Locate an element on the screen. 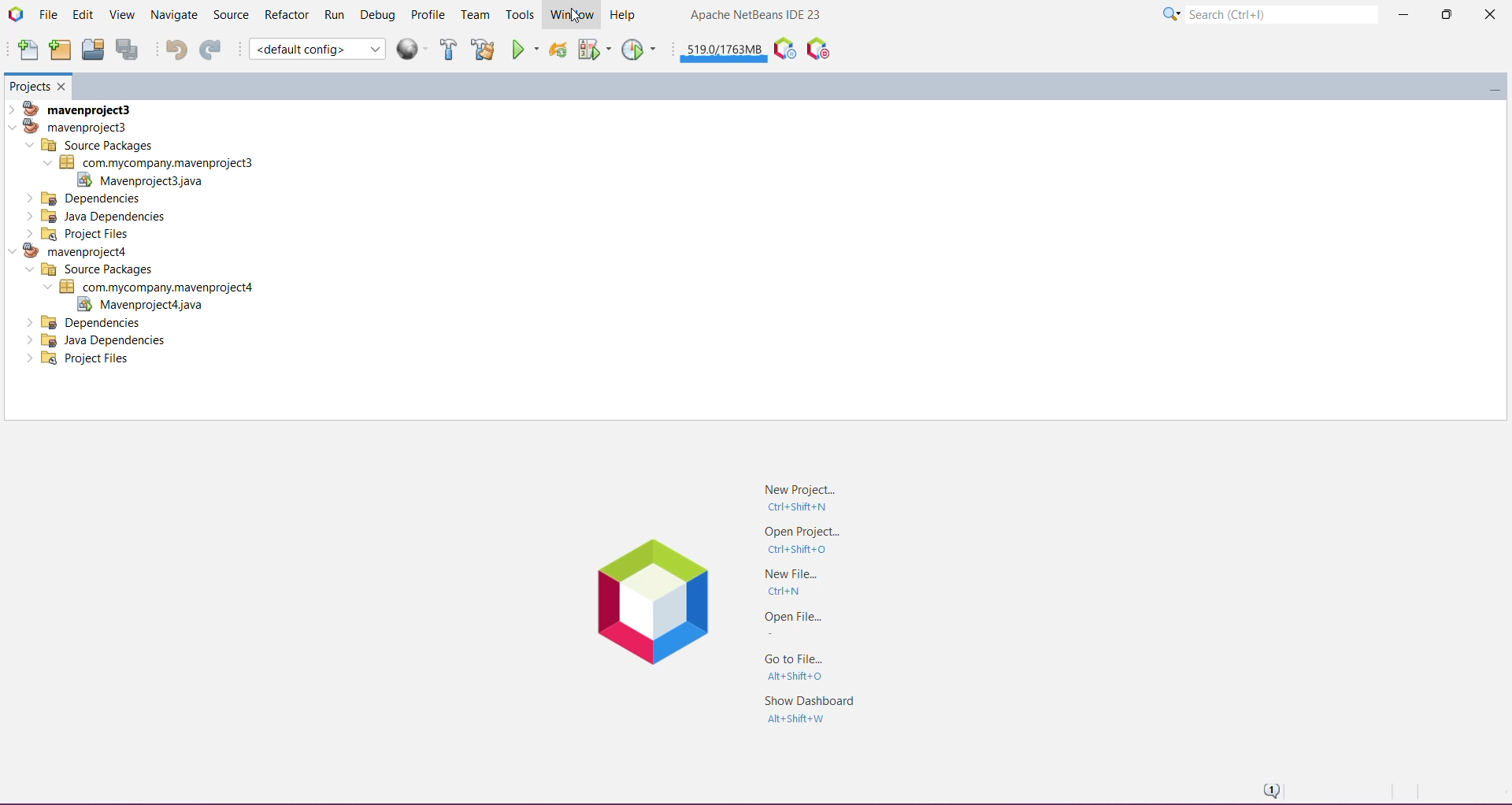 The height and width of the screenshot is (805, 1512).  is located at coordinates (414, 49).